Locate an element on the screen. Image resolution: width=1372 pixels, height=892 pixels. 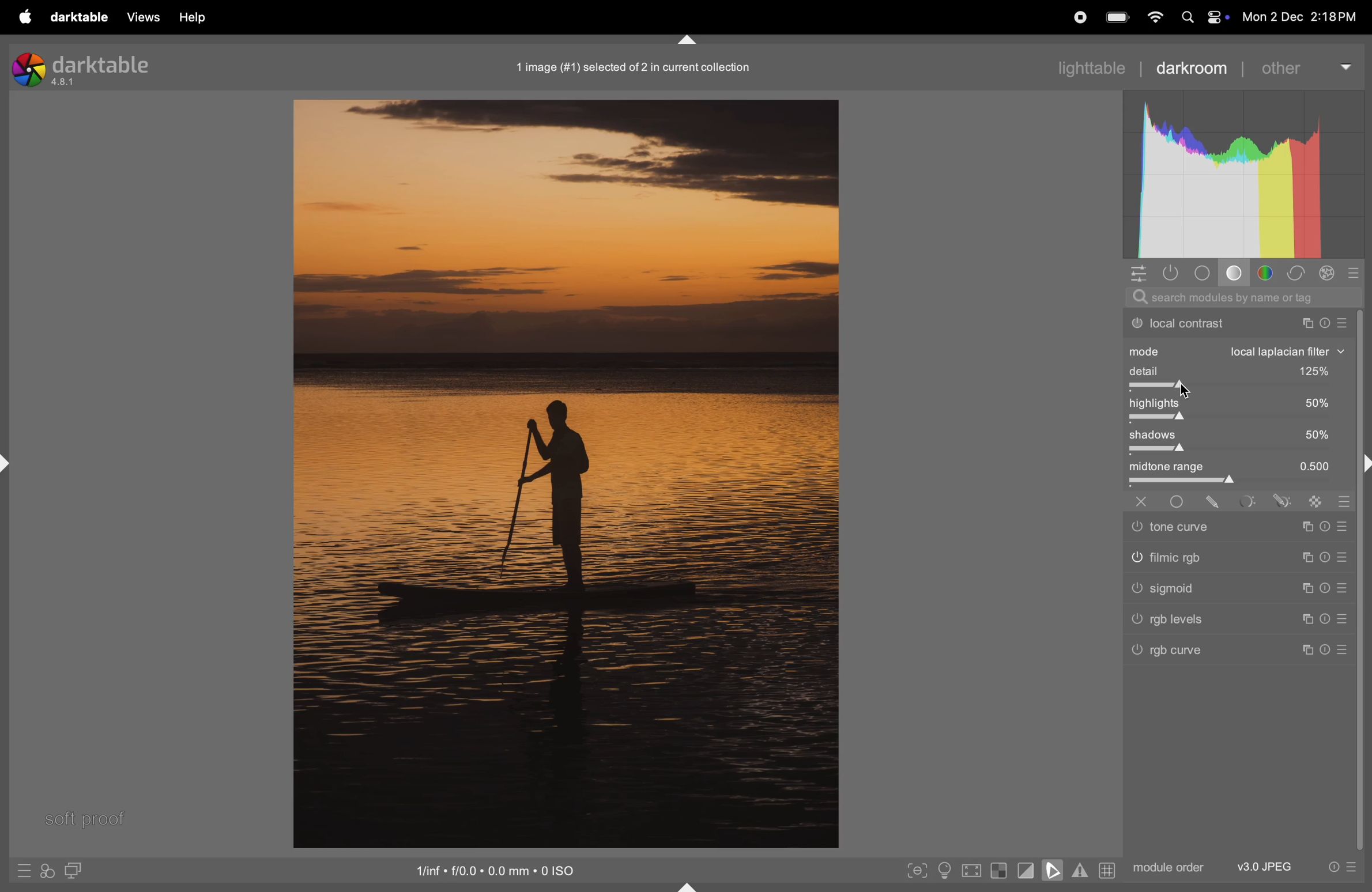
 is located at coordinates (1189, 589).